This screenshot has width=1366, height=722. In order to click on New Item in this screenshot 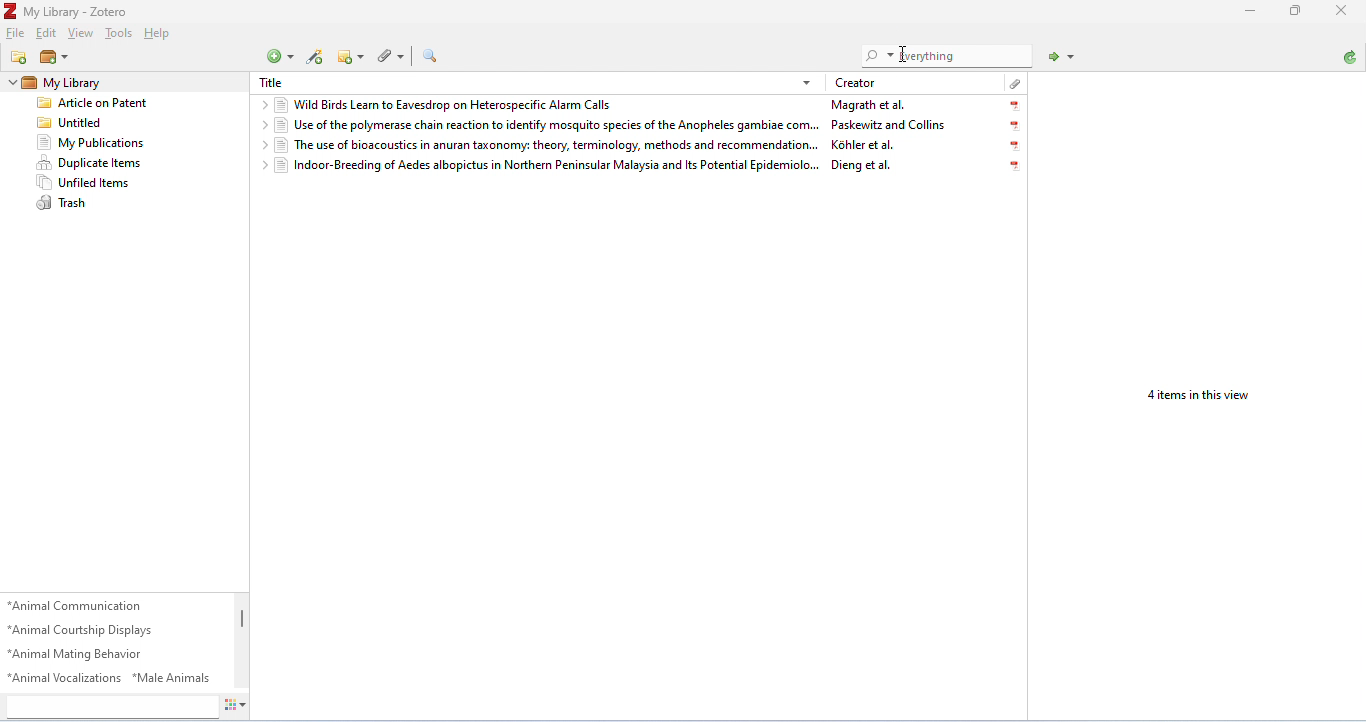, I will do `click(280, 56)`.